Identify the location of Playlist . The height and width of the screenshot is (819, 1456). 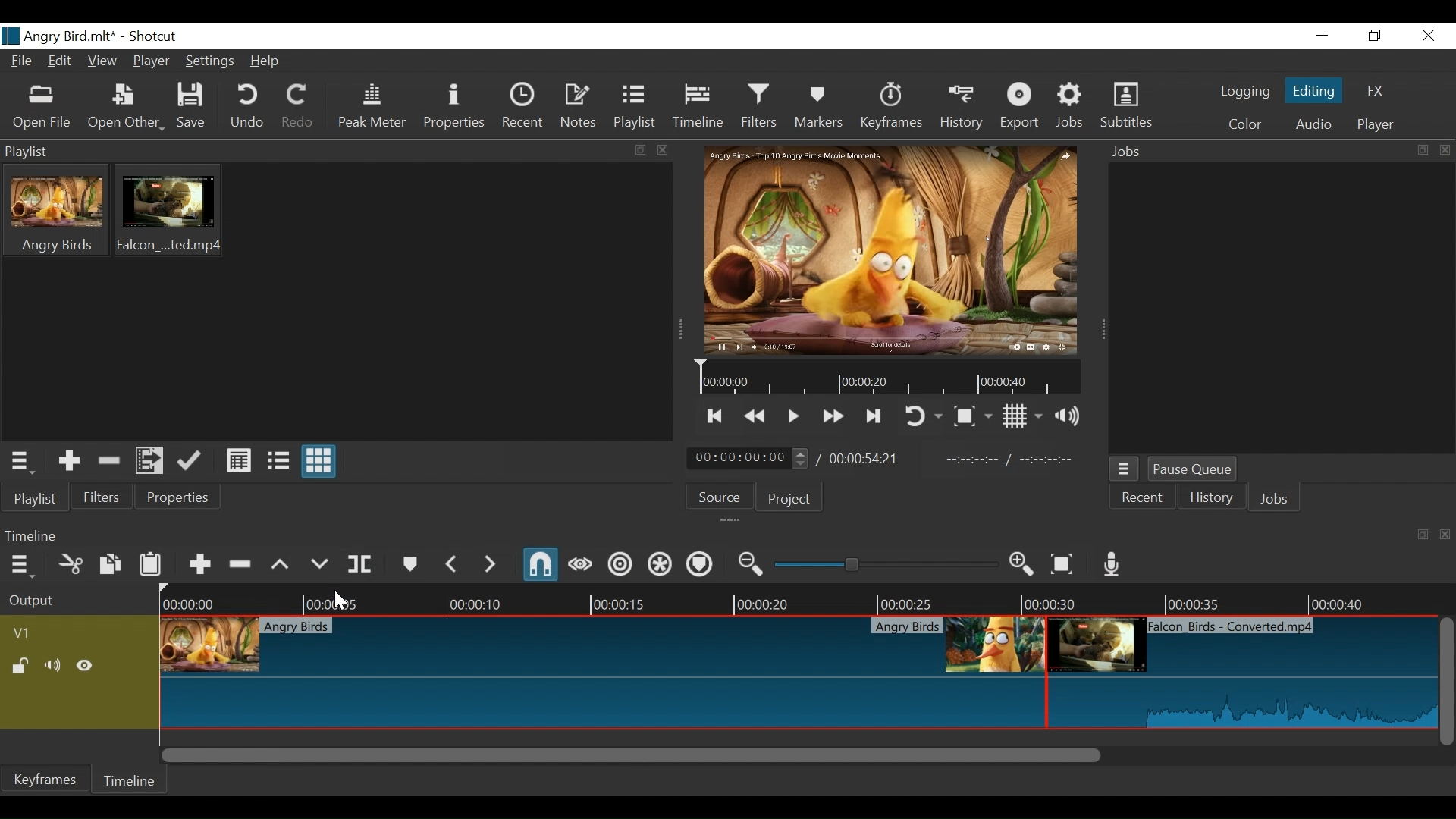
(36, 497).